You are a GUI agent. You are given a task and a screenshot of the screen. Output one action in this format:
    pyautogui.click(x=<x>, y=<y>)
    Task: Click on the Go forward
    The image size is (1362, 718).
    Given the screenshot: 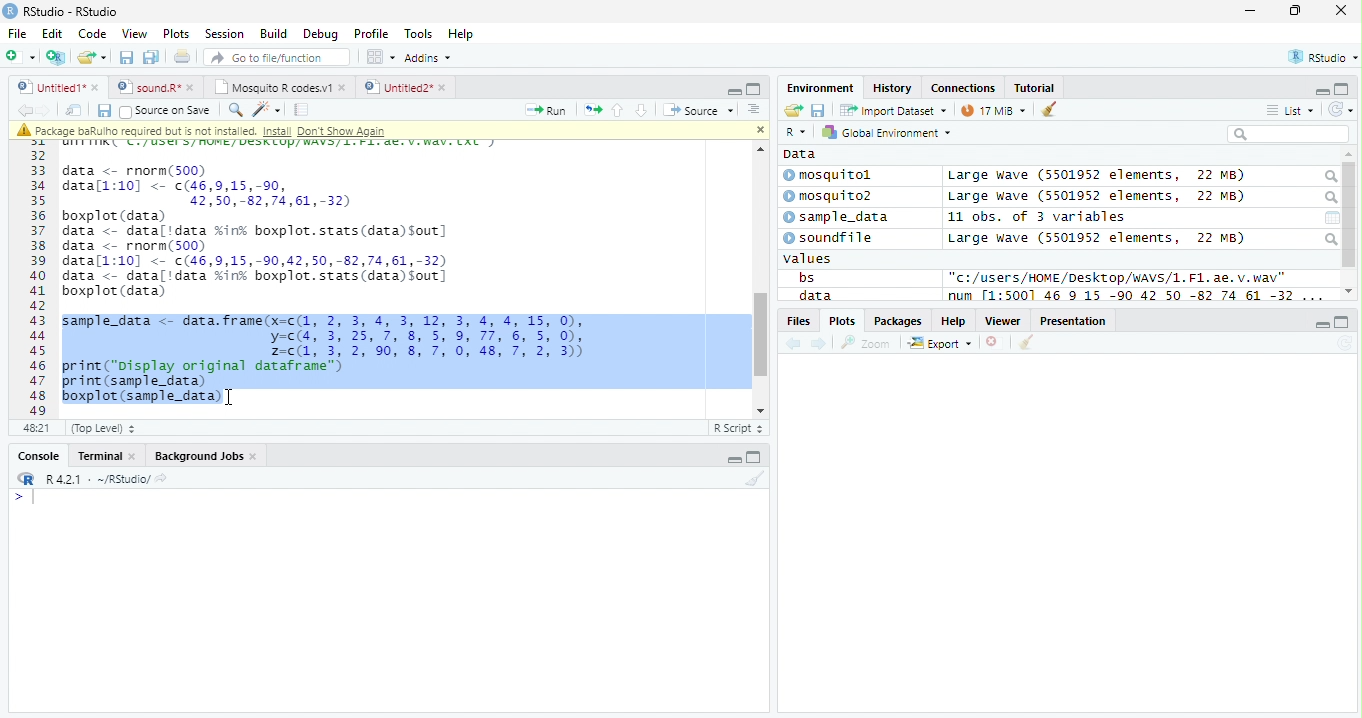 What is the action you would take?
    pyautogui.click(x=44, y=110)
    